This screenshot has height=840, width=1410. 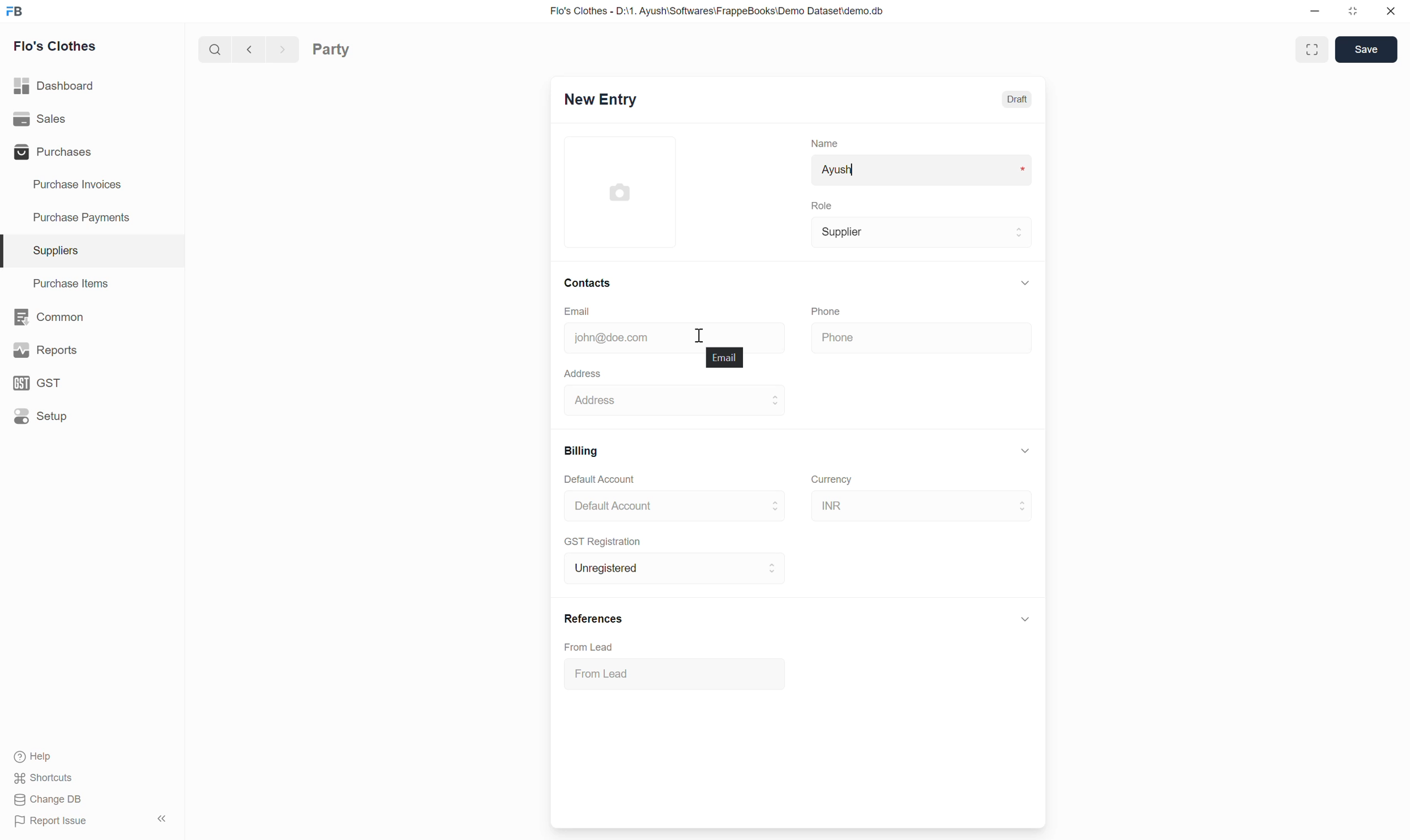 I want to click on Name, so click(x=824, y=143).